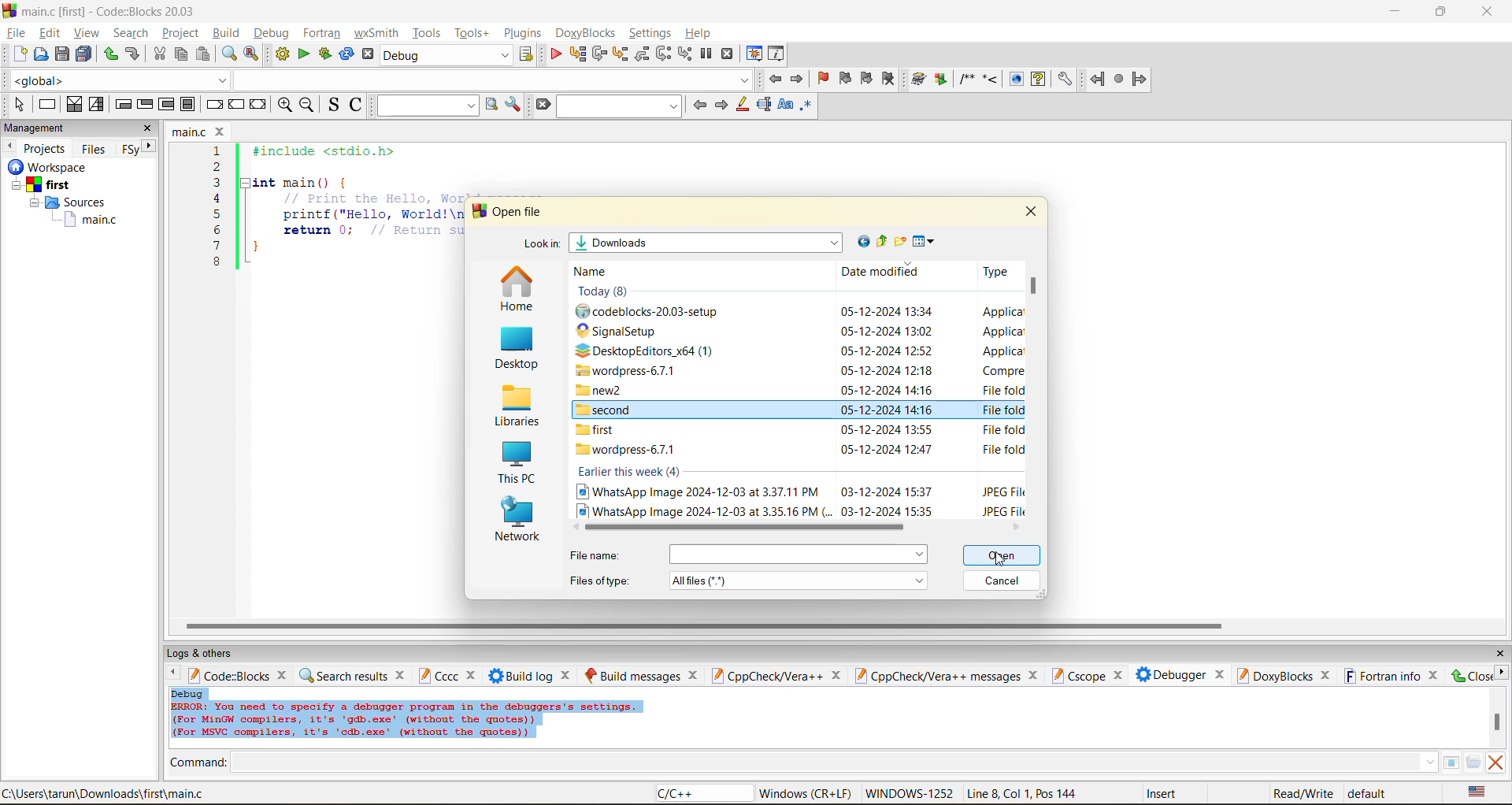 This screenshot has height=805, width=1512. What do you see at coordinates (966, 79) in the screenshot?
I see `comment` at bounding box center [966, 79].